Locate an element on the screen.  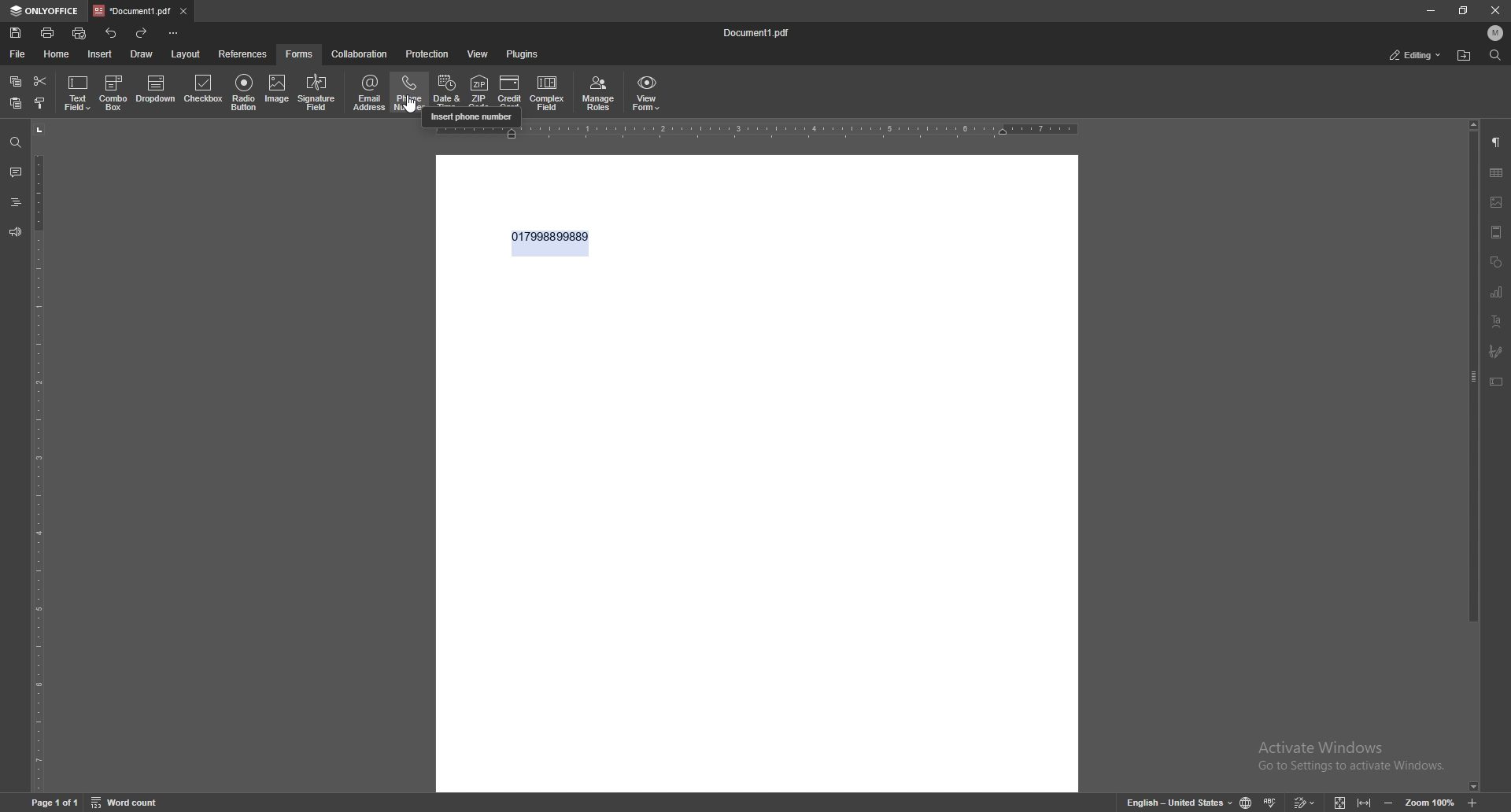
checkbox is located at coordinates (204, 90).